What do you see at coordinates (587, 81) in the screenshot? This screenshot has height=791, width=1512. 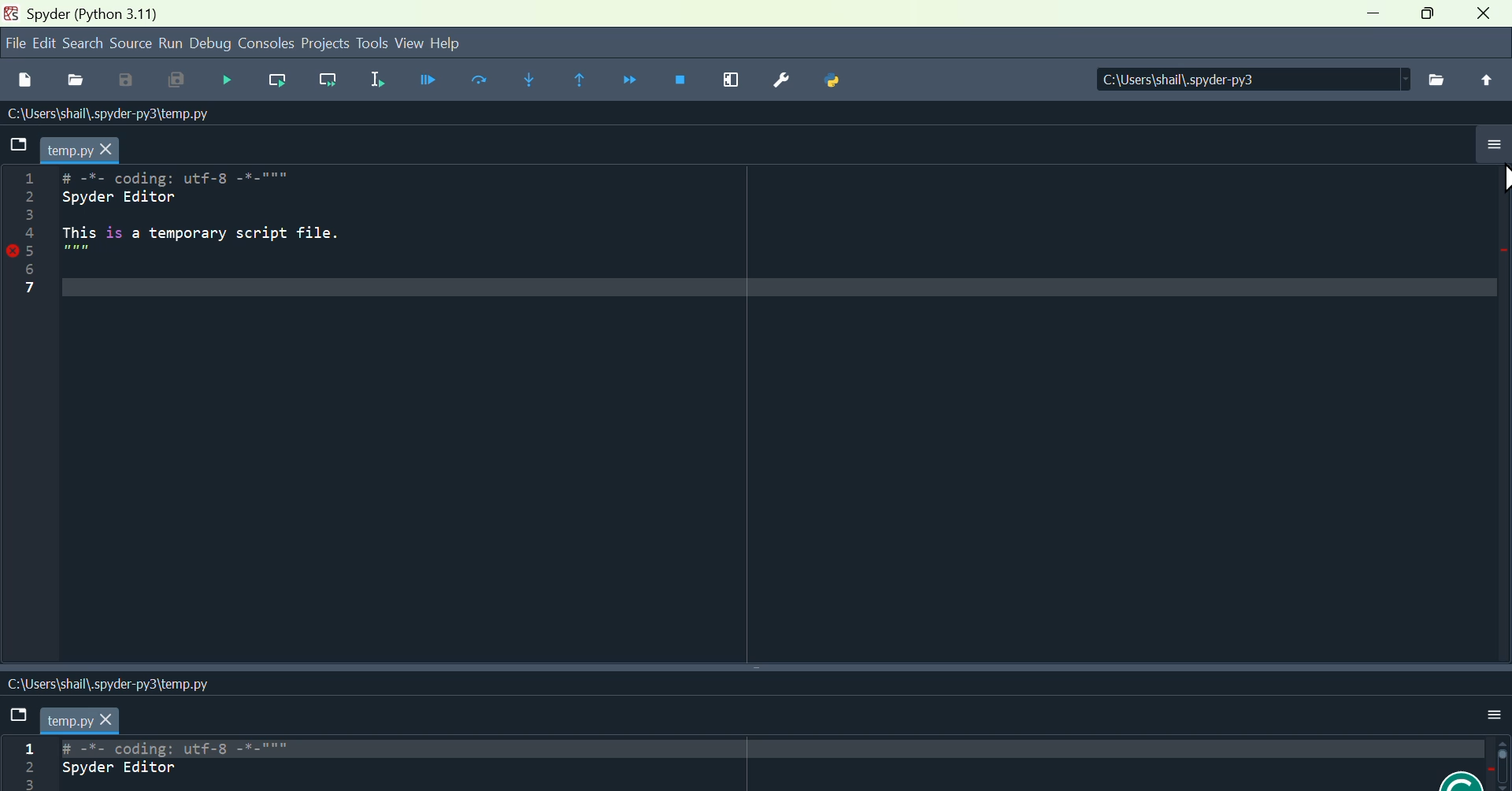 I see `execute until same function return` at bounding box center [587, 81].